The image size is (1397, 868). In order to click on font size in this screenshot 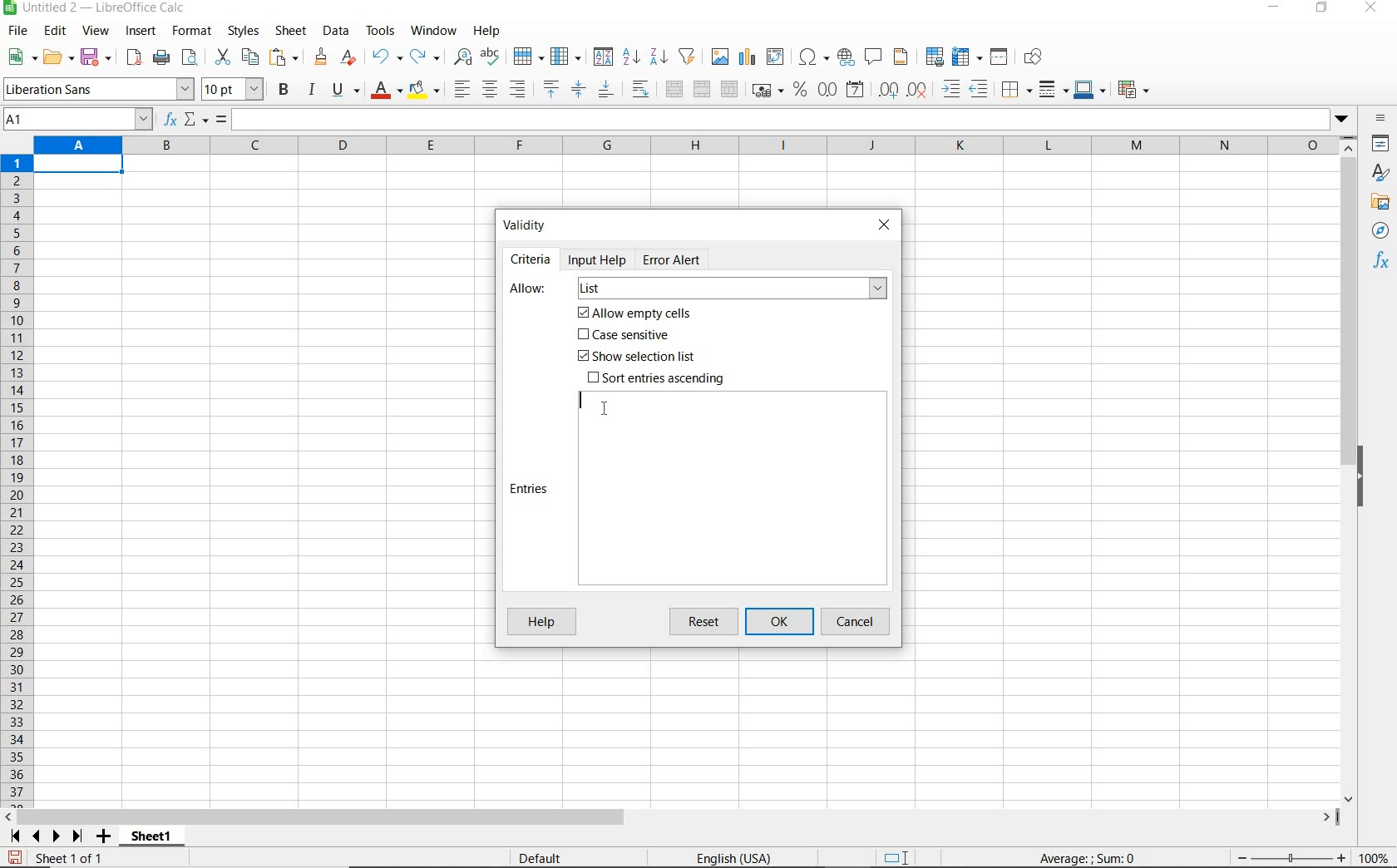, I will do `click(233, 89)`.